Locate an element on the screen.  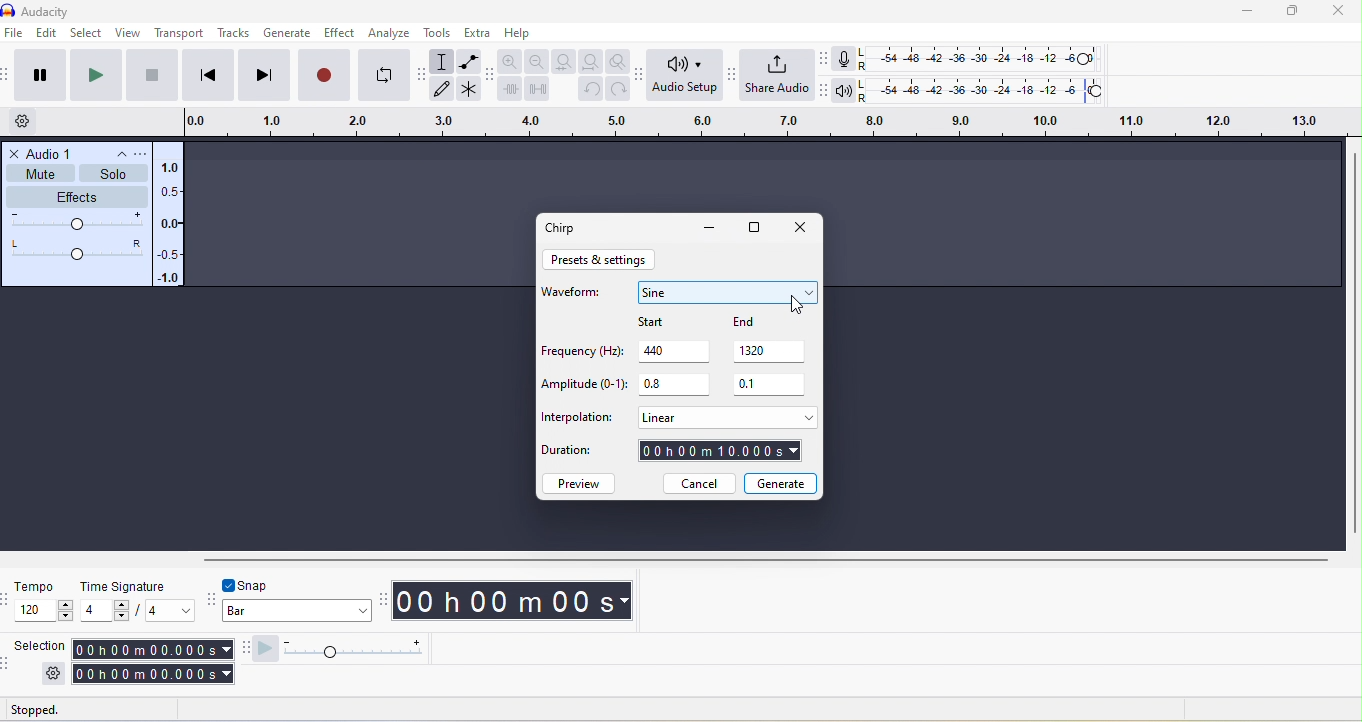
extra is located at coordinates (476, 32).